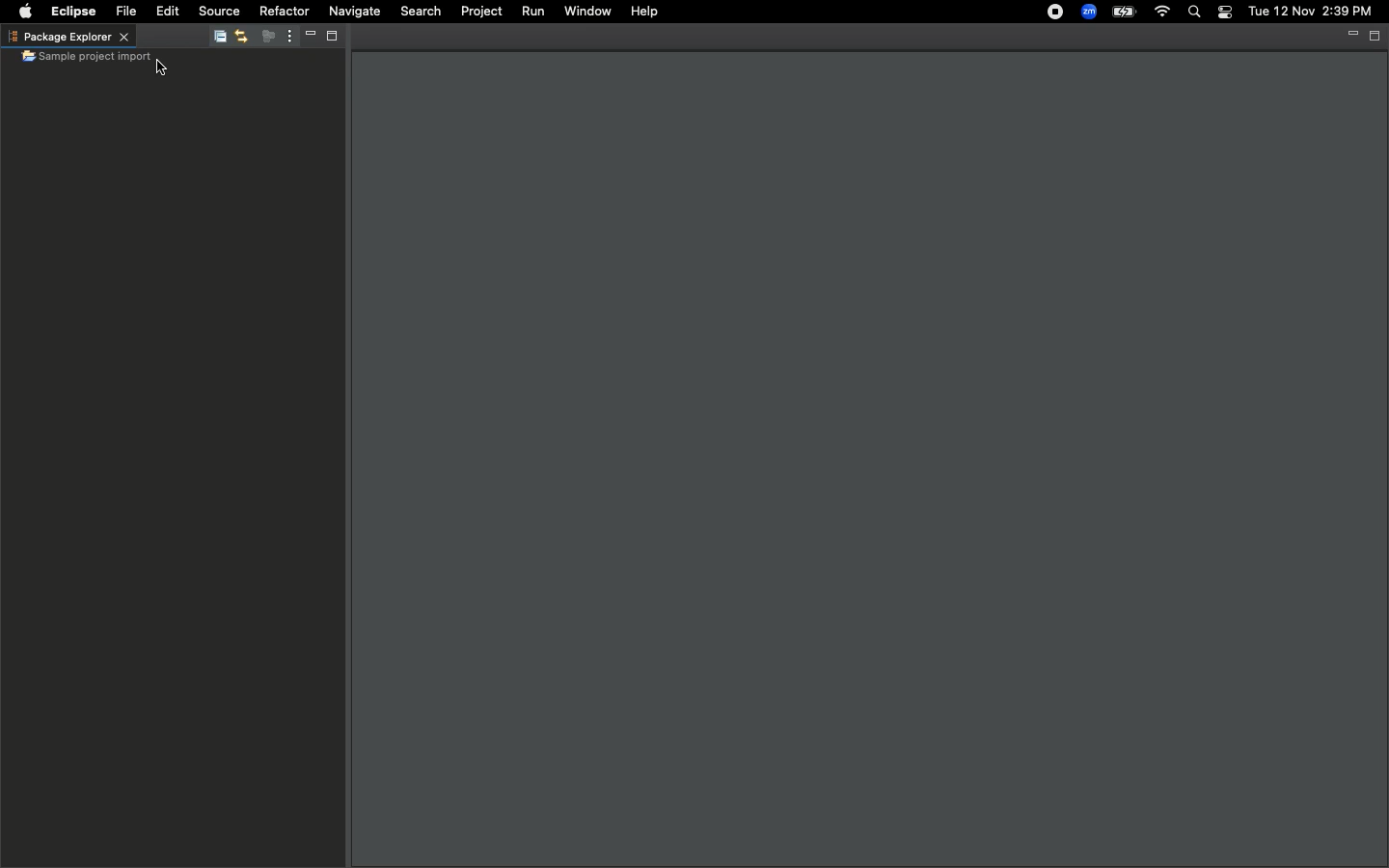 The height and width of the screenshot is (868, 1389). What do you see at coordinates (76, 12) in the screenshot?
I see `Eclipse` at bounding box center [76, 12].